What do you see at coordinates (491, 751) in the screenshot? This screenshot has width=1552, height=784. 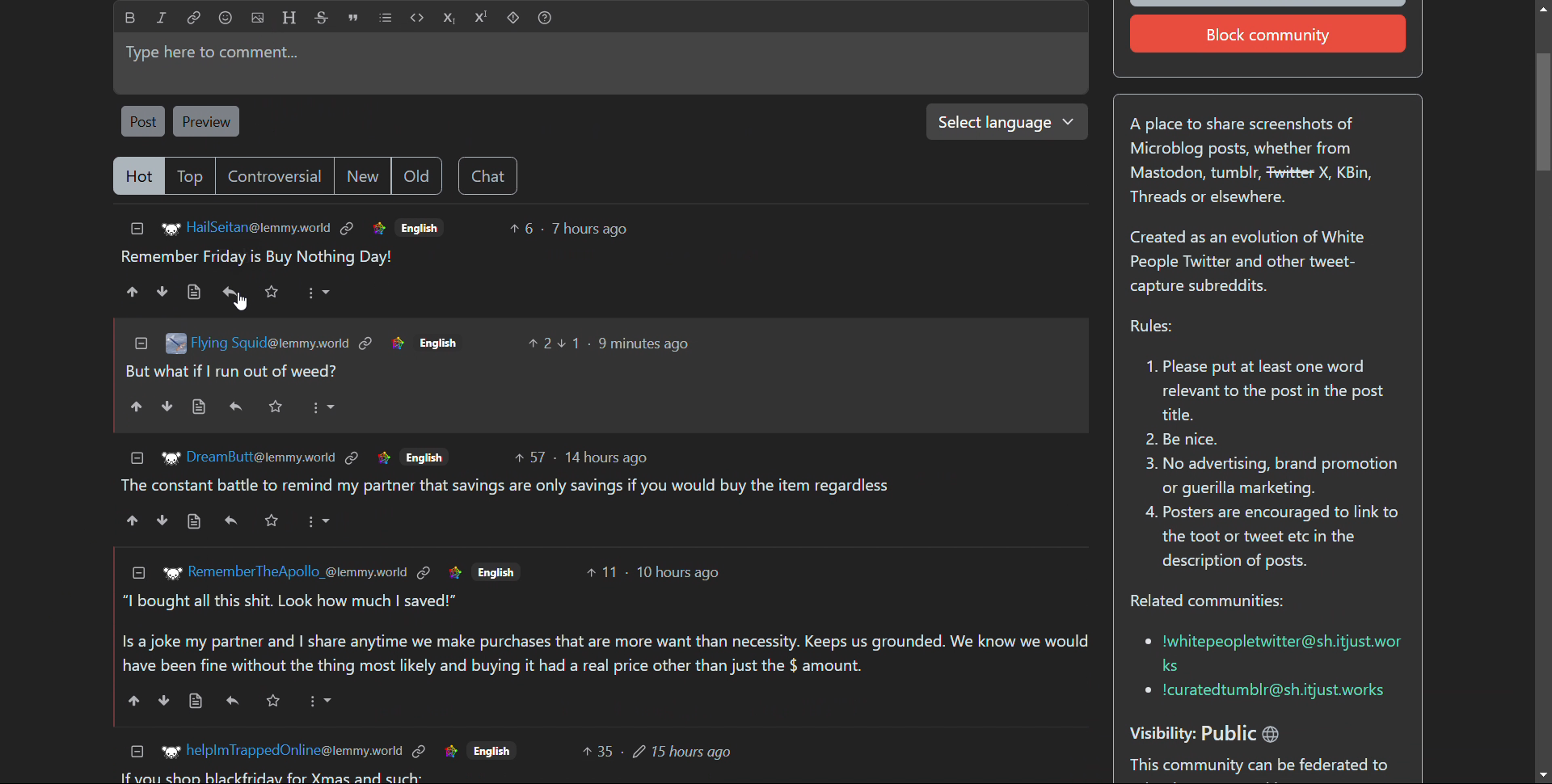 I see `language` at bounding box center [491, 751].